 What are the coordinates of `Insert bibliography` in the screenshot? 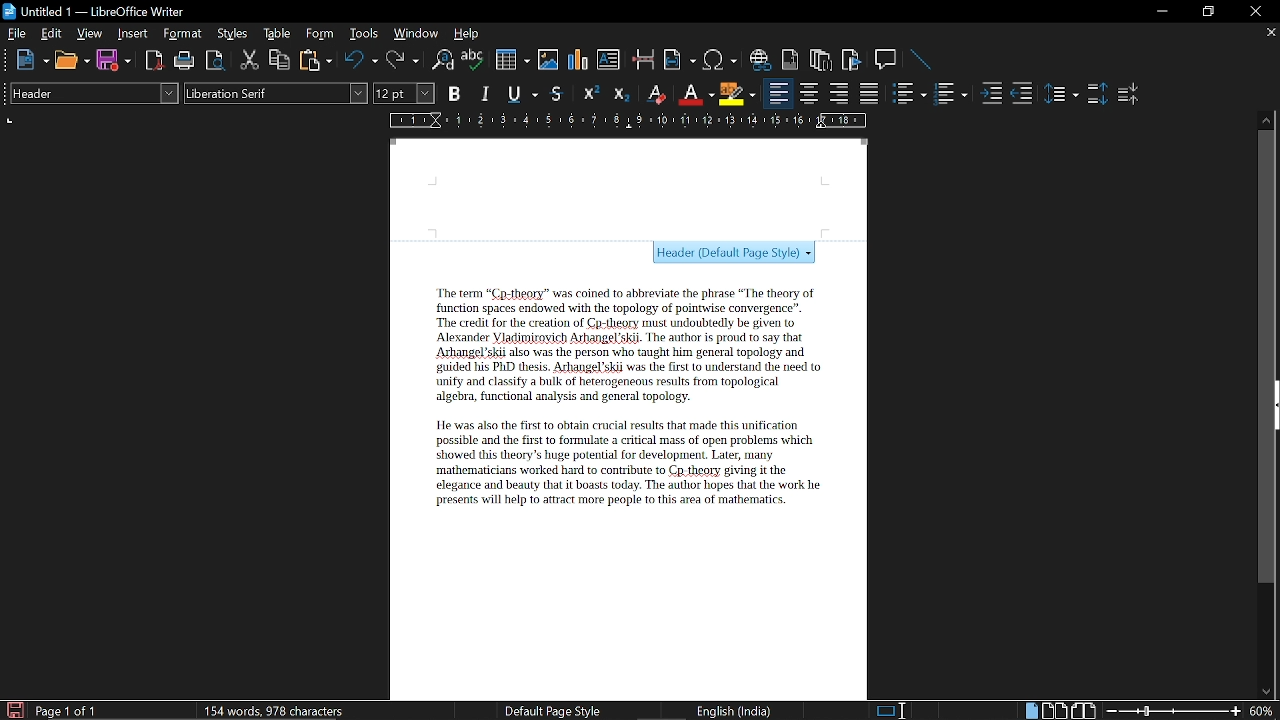 It's located at (852, 61).